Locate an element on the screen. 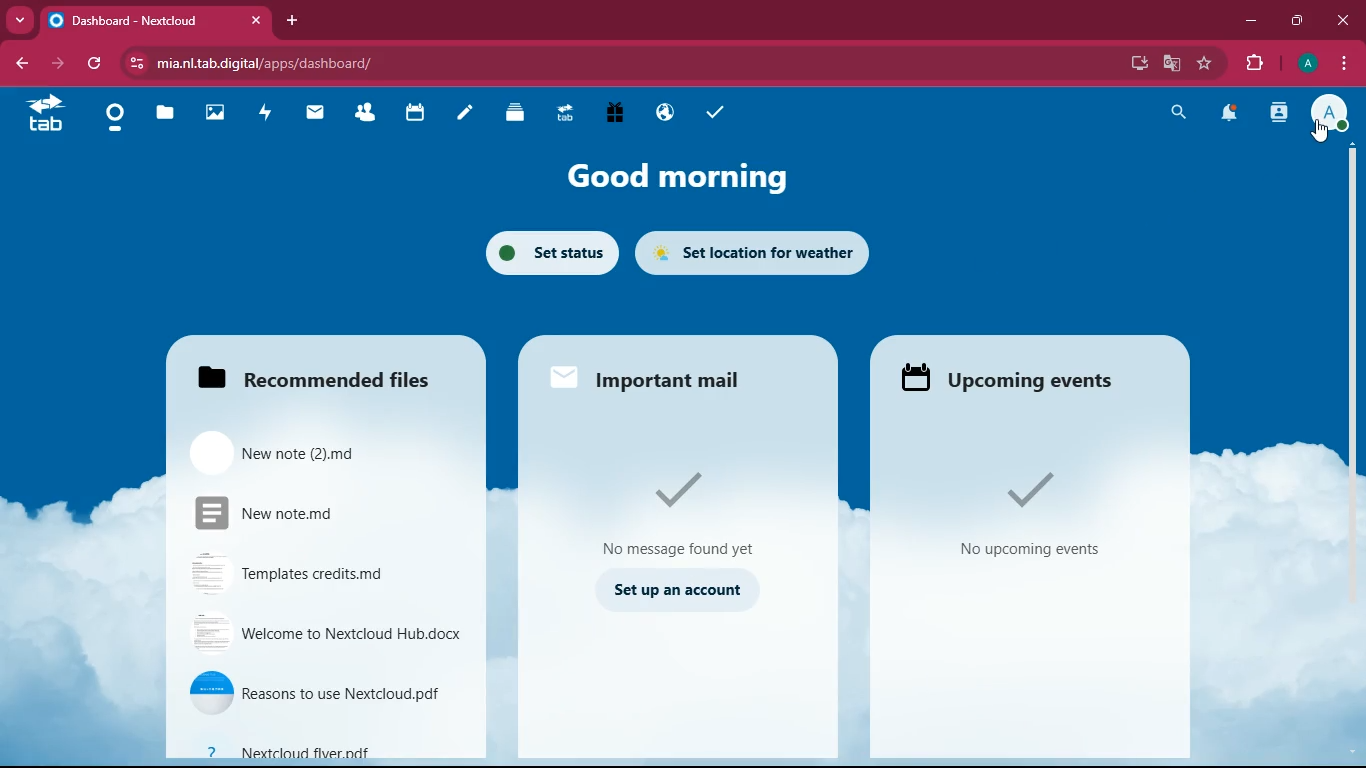  files is located at coordinates (165, 115).